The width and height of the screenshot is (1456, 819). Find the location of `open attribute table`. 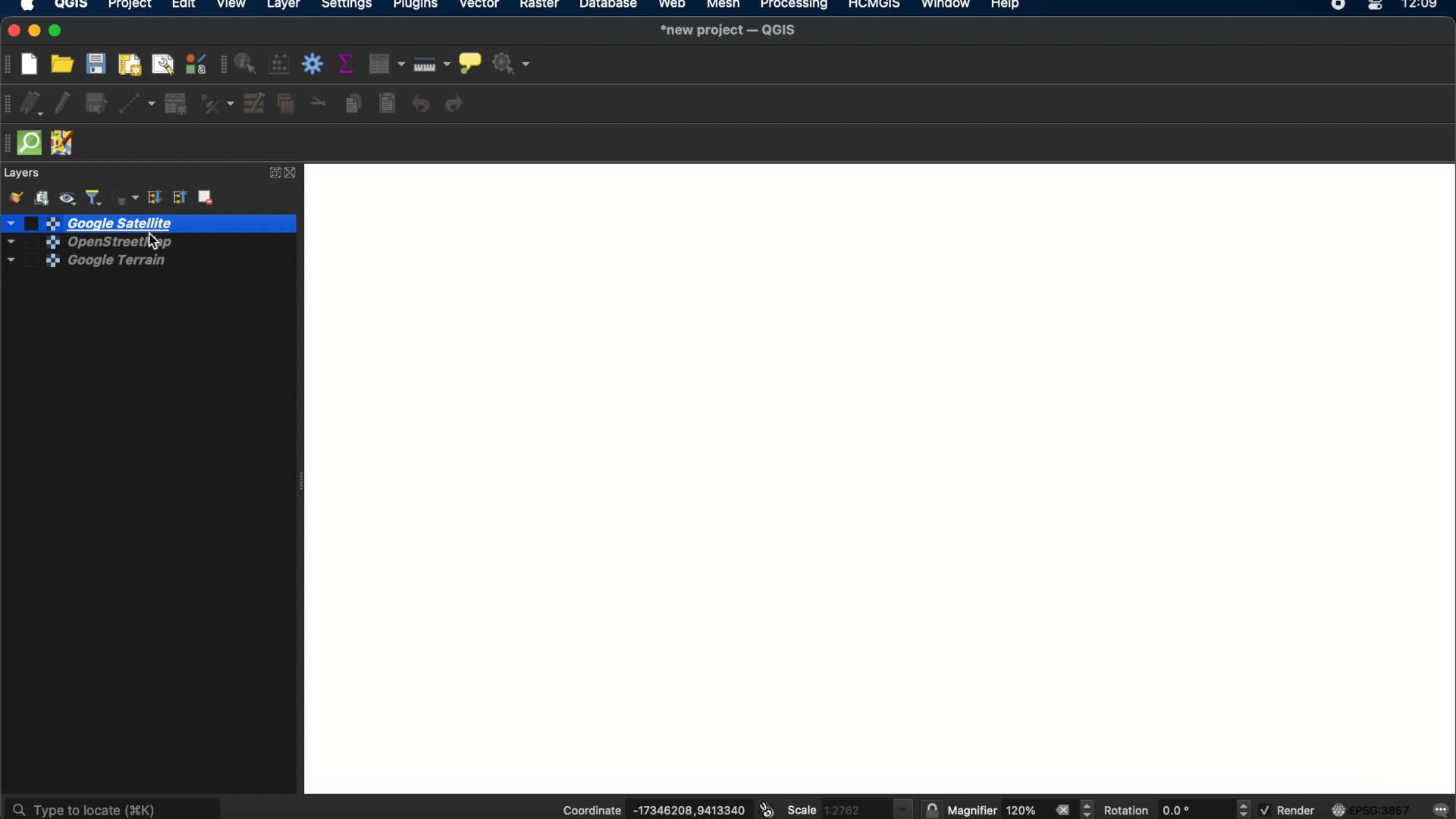

open attribute table is located at coordinates (389, 64).